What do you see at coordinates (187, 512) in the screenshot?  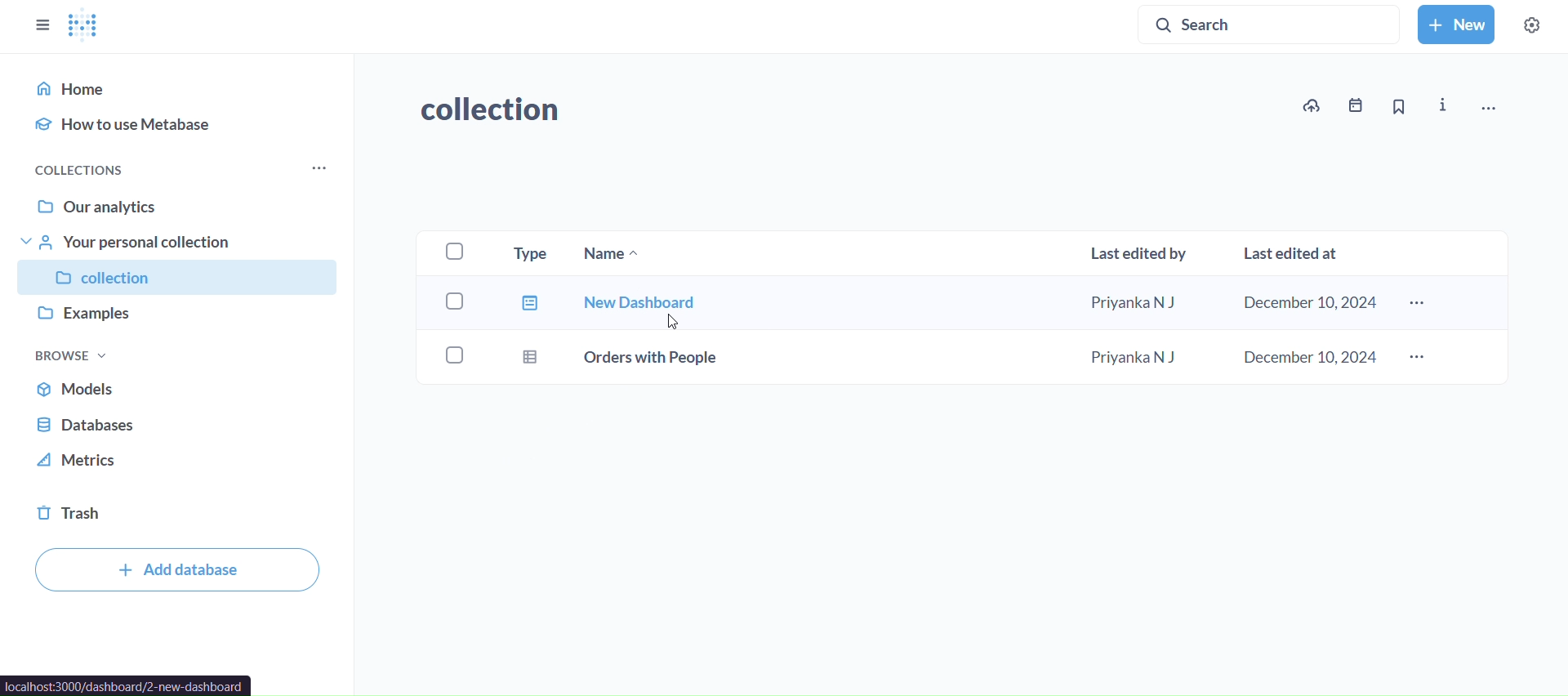 I see `trash` at bounding box center [187, 512].